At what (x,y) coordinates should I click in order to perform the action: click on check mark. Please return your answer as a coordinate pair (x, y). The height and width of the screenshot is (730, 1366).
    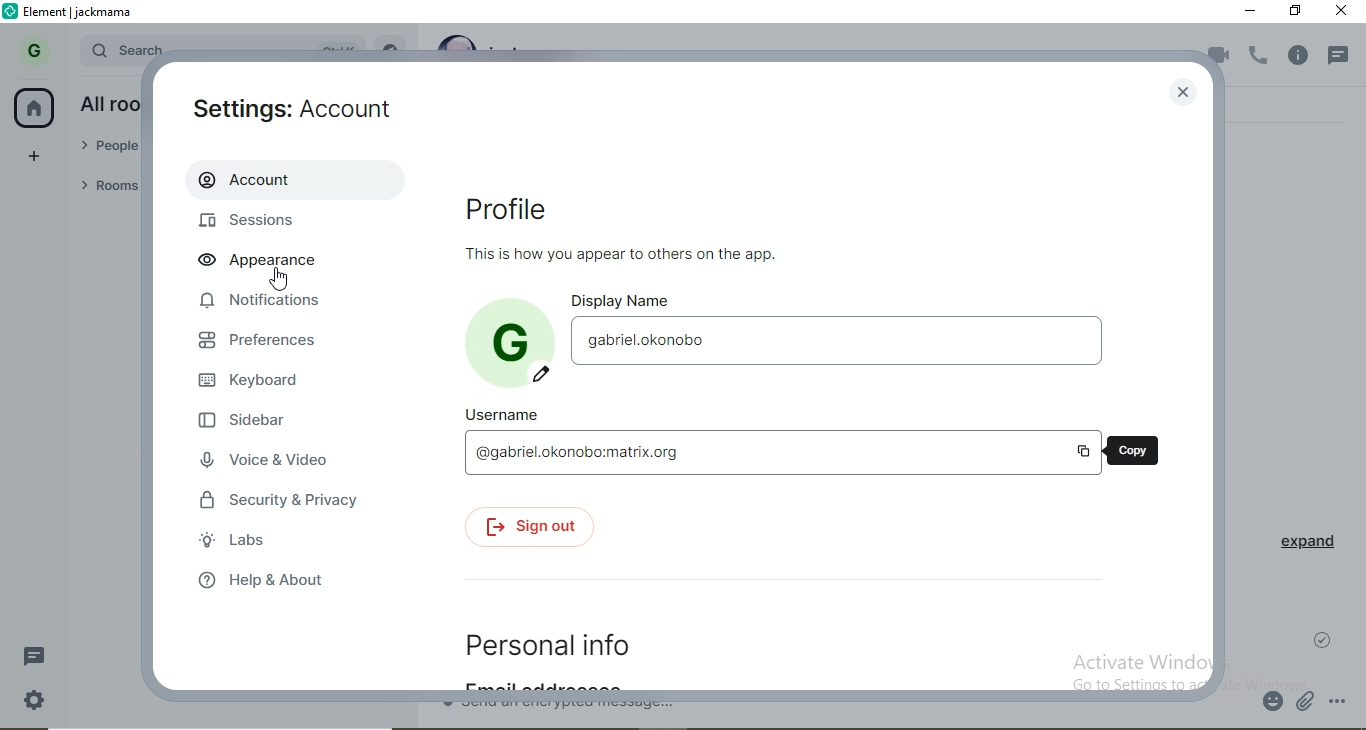
    Looking at the image, I should click on (1327, 637).